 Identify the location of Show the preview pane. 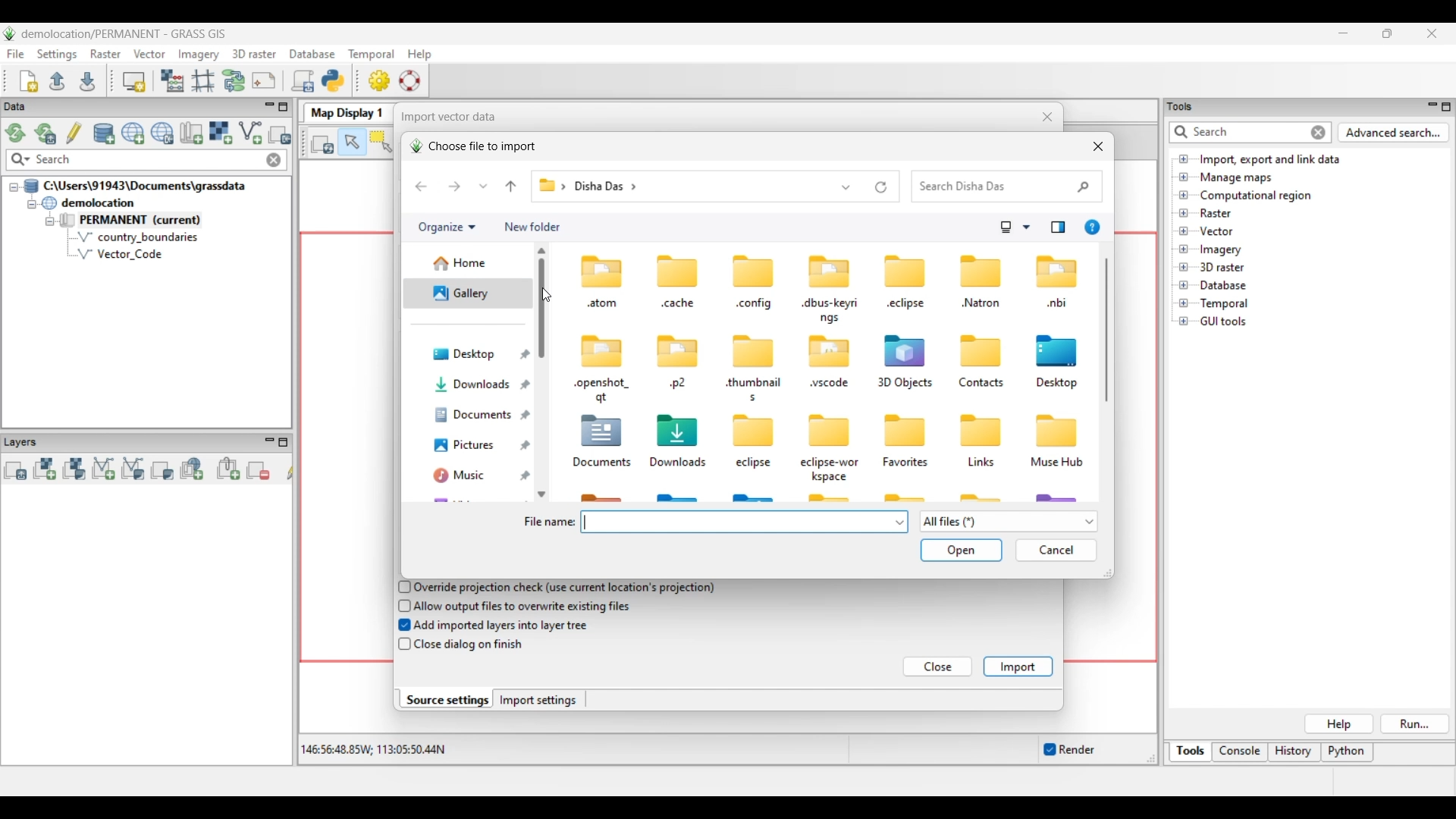
(1058, 227).